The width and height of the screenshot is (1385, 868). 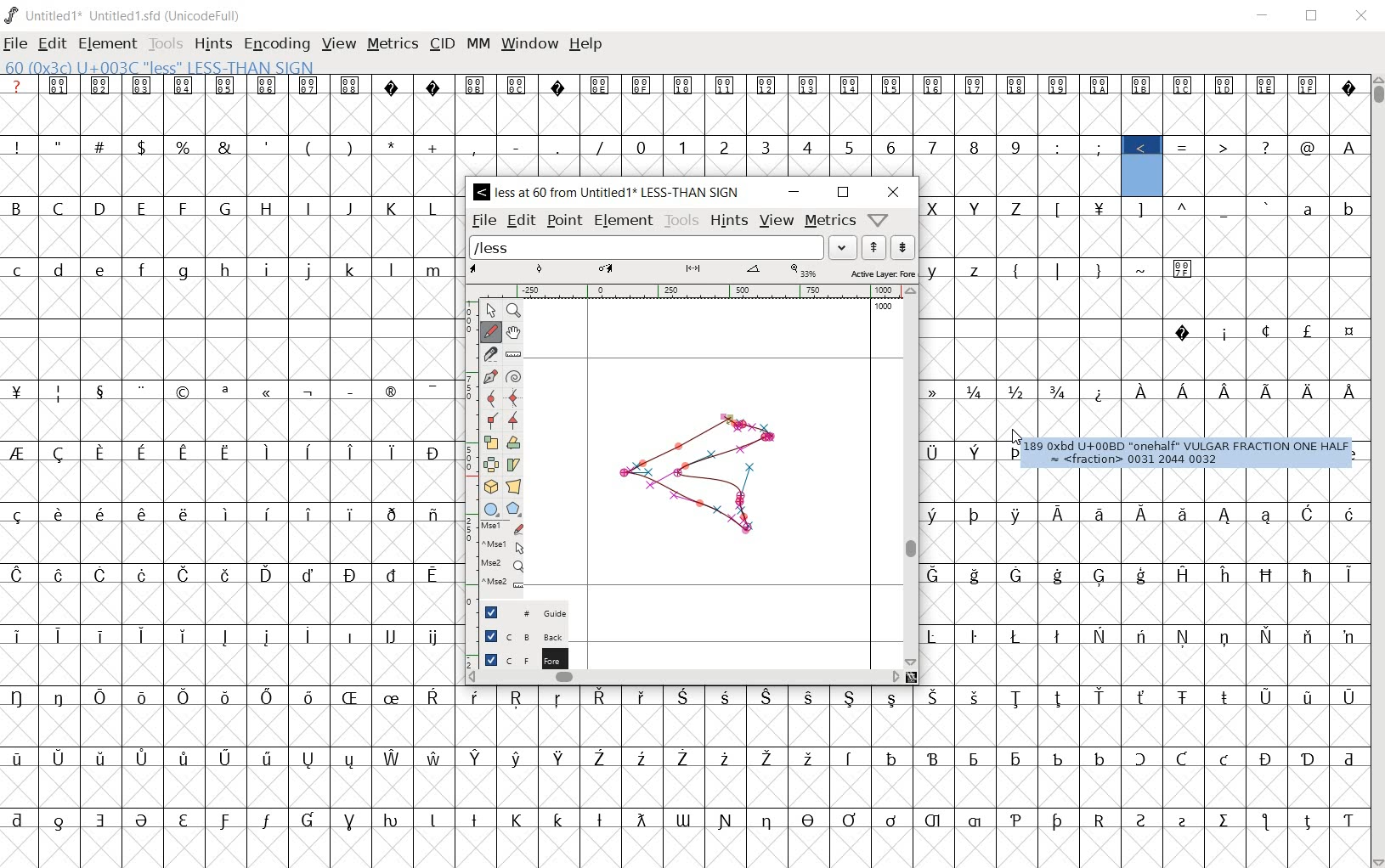 What do you see at coordinates (1263, 15) in the screenshot?
I see `minimize` at bounding box center [1263, 15].